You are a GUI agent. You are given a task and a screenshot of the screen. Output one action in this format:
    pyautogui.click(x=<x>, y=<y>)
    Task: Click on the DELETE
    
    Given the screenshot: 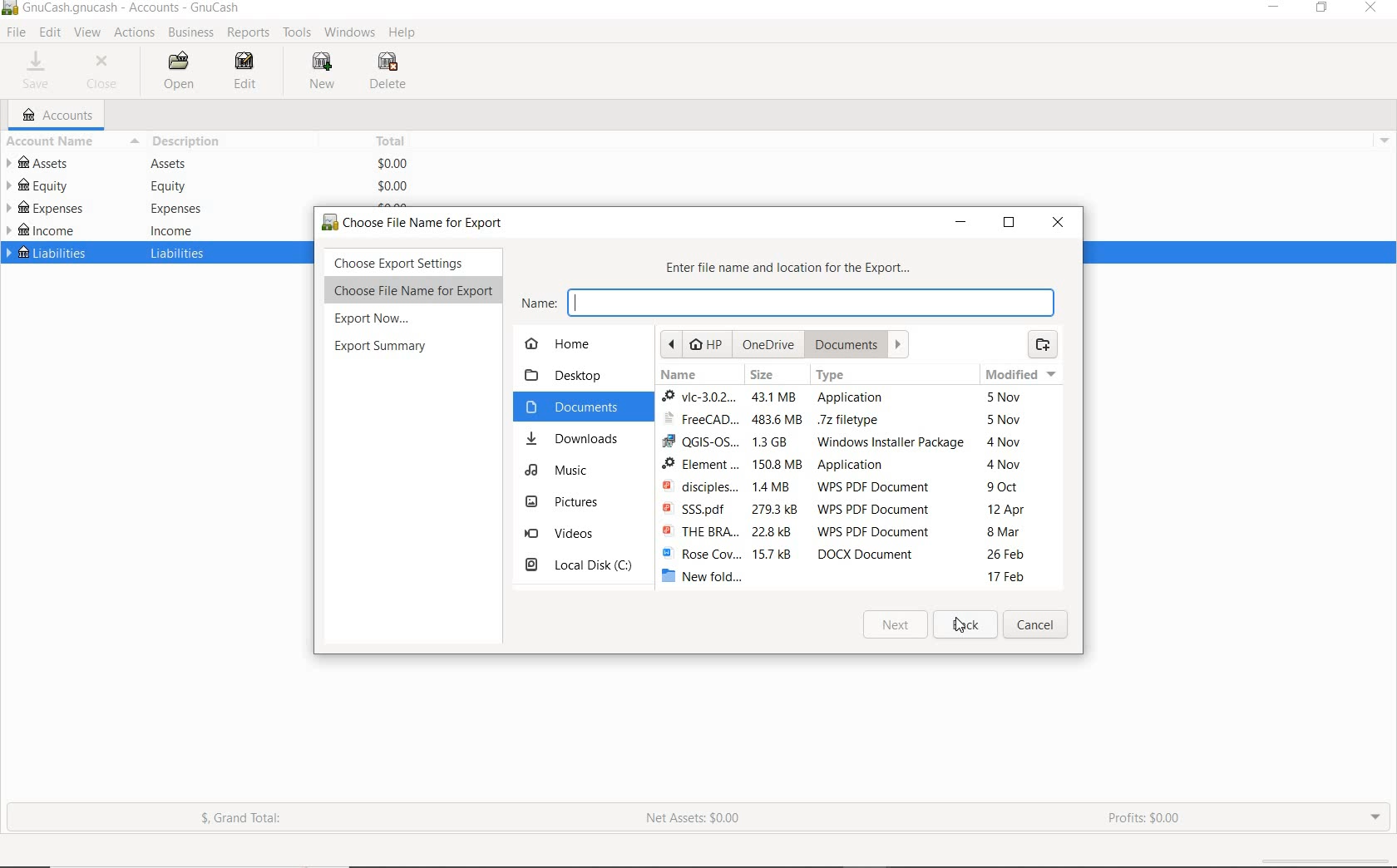 What is the action you would take?
    pyautogui.click(x=388, y=73)
    